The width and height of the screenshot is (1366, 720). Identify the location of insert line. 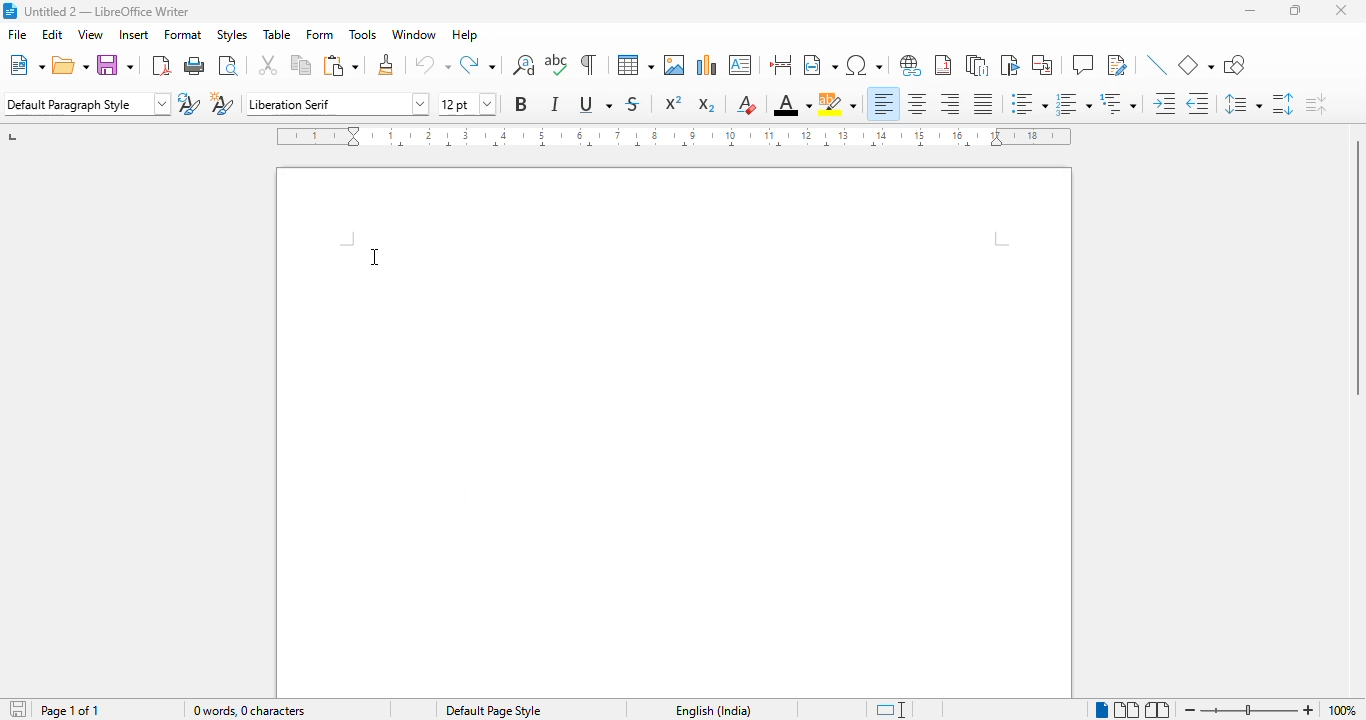
(1159, 64).